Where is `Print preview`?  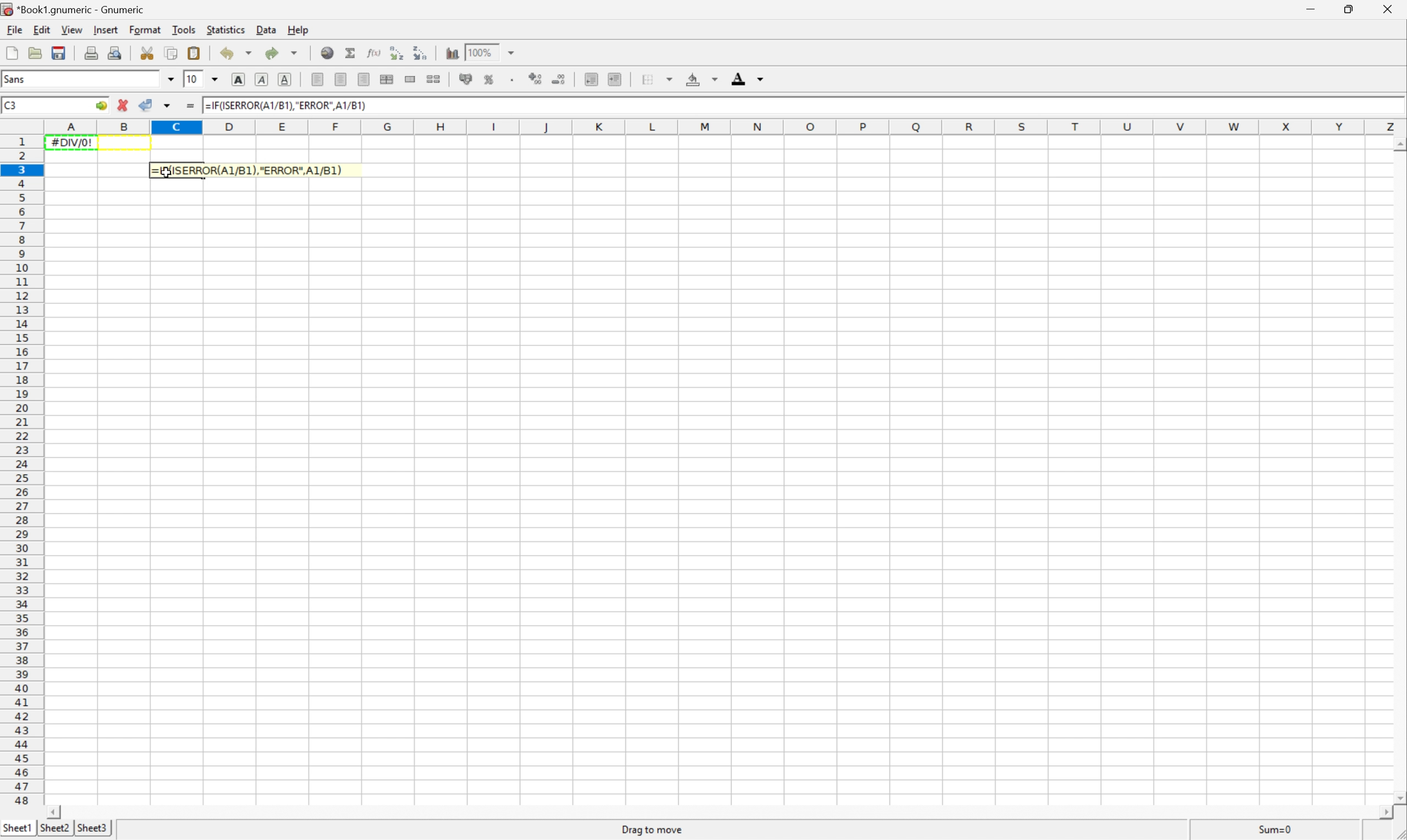 Print preview is located at coordinates (117, 53).